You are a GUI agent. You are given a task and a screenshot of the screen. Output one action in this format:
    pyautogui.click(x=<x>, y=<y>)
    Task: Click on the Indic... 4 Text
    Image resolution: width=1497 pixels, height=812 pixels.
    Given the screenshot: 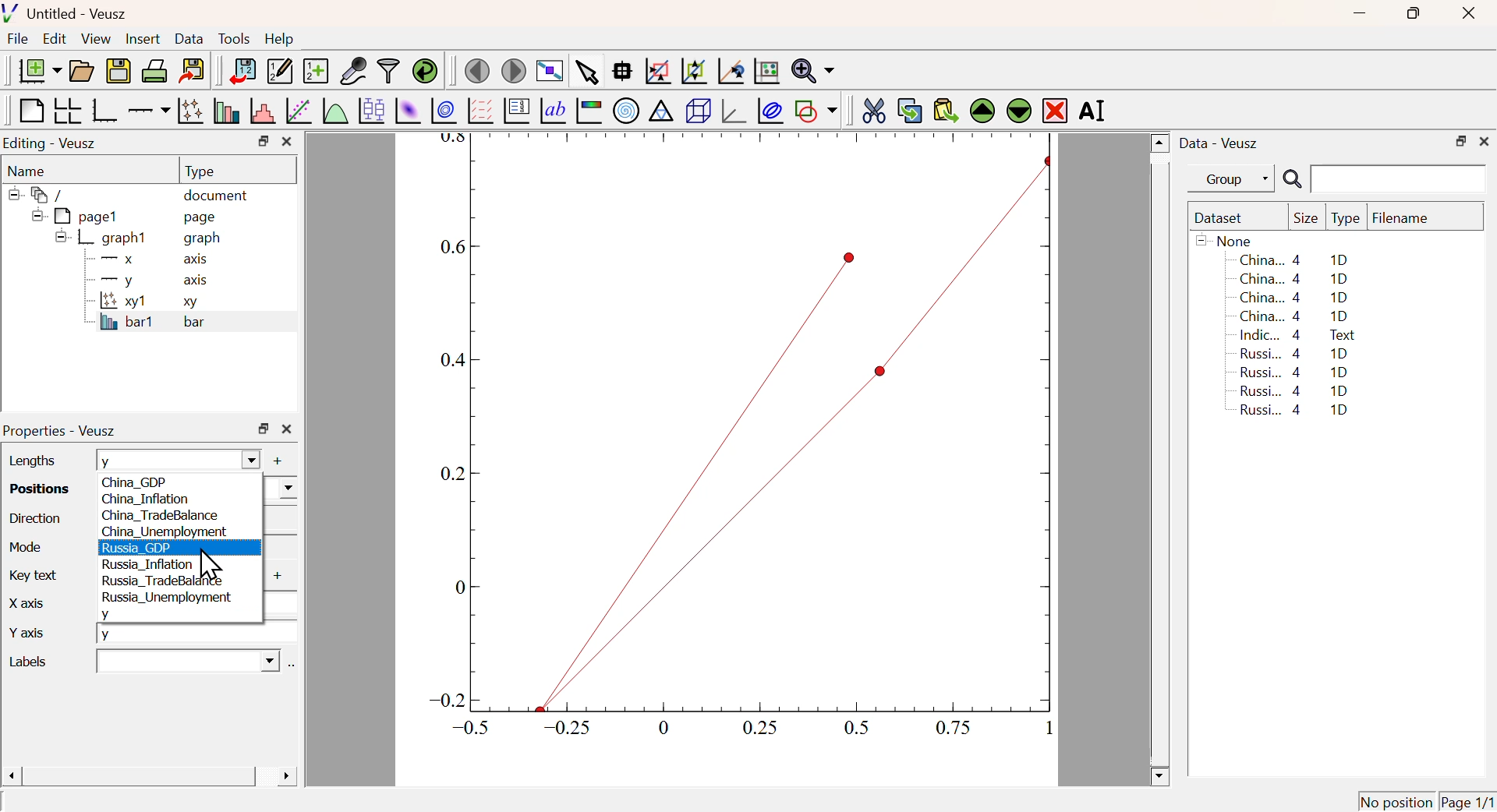 What is the action you would take?
    pyautogui.click(x=1297, y=335)
    